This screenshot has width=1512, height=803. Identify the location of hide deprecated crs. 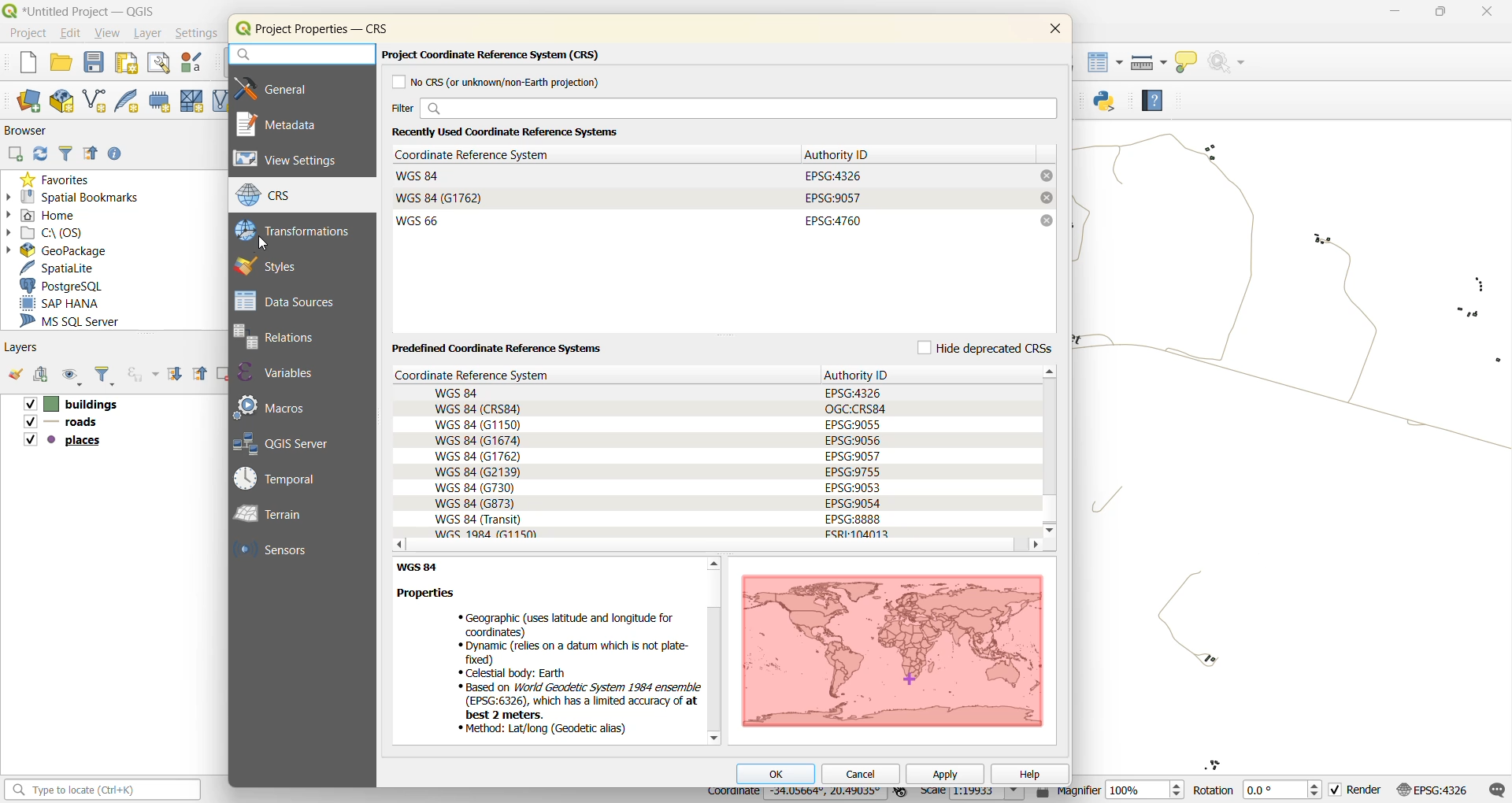
(983, 346).